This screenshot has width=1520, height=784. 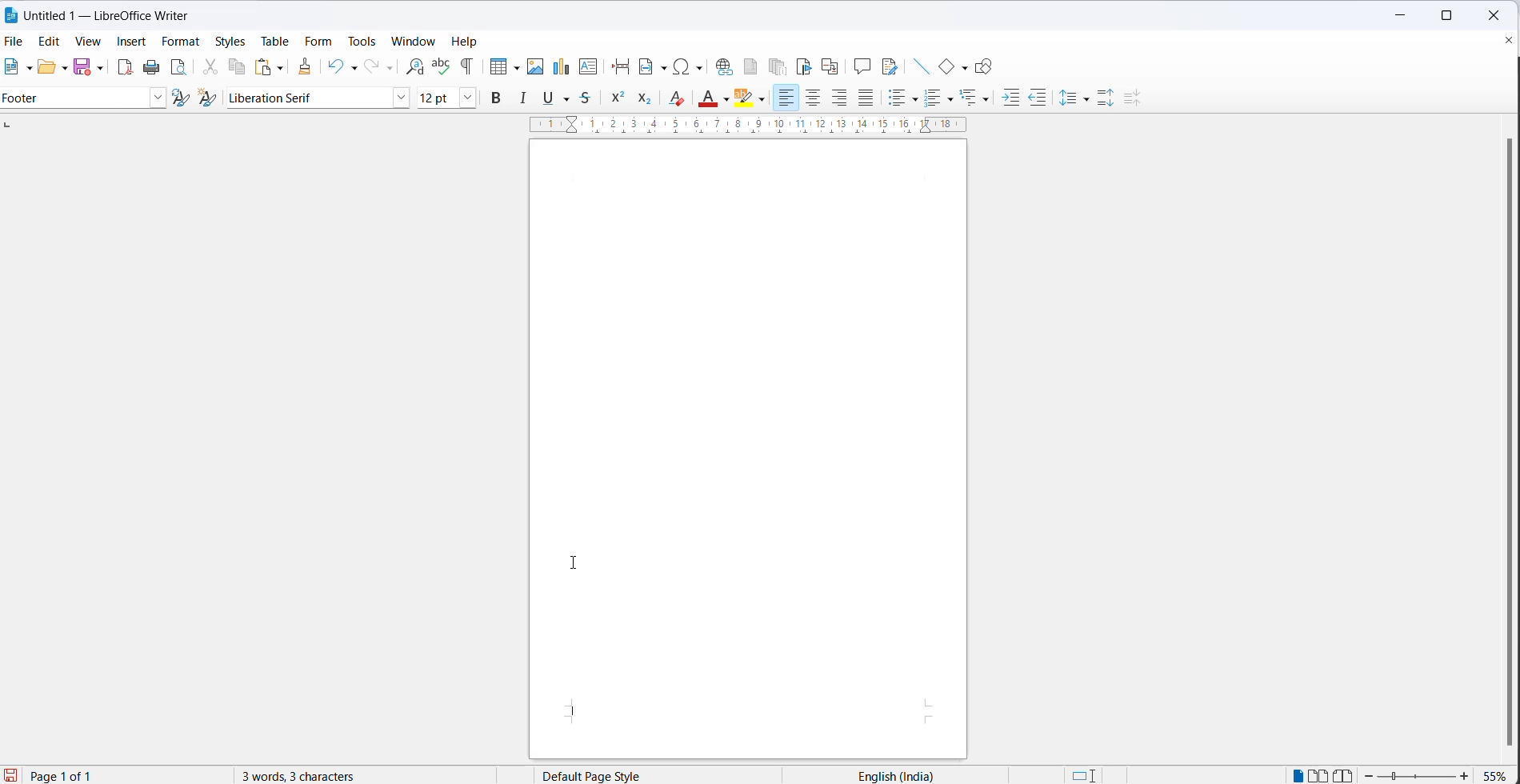 What do you see at coordinates (125, 68) in the screenshot?
I see `export as pdf` at bounding box center [125, 68].